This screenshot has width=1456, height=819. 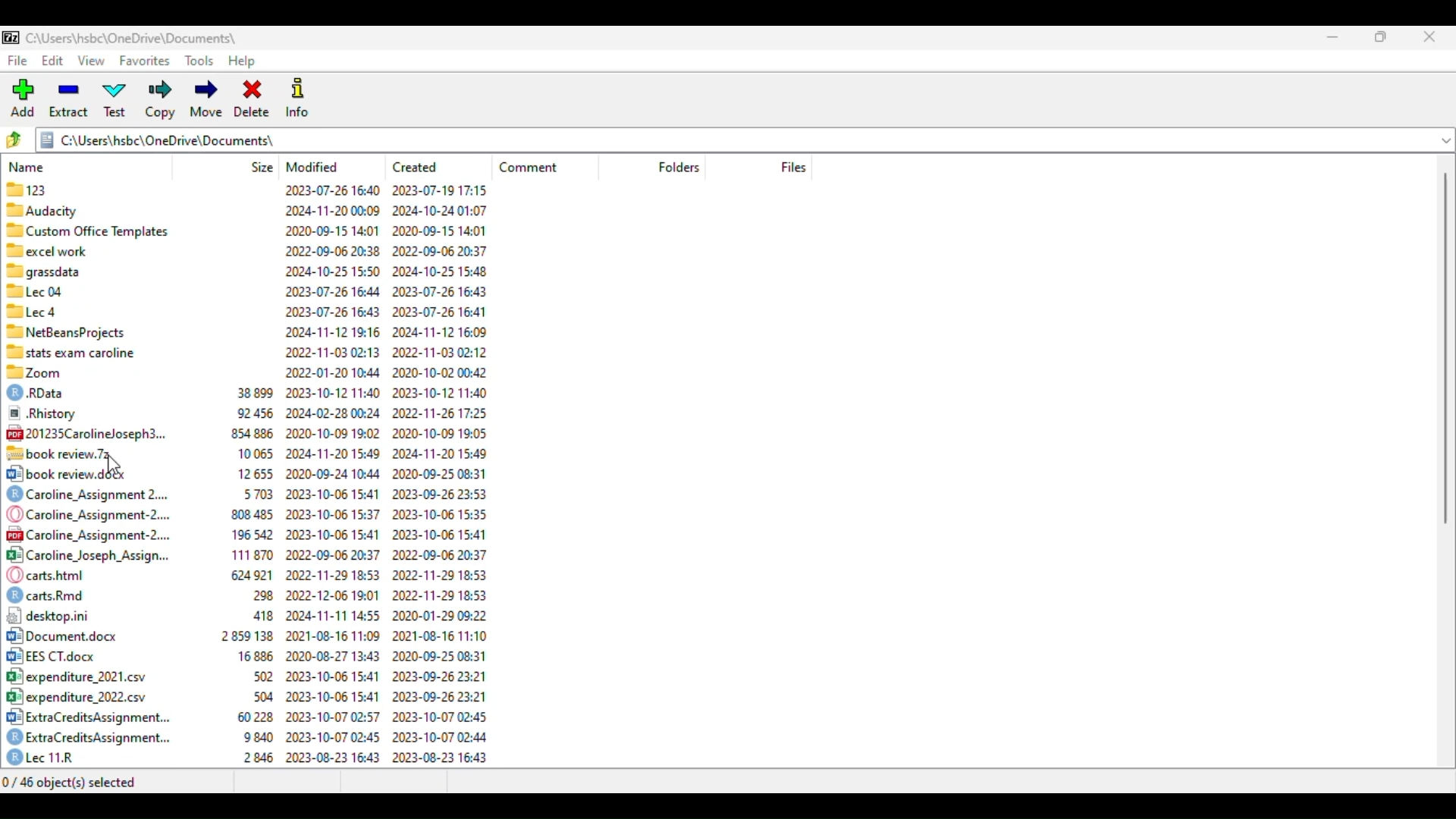 What do you see at coordinates (146, 61) in the screenshot?
I see `favorites` at bounding box center [146, 61].